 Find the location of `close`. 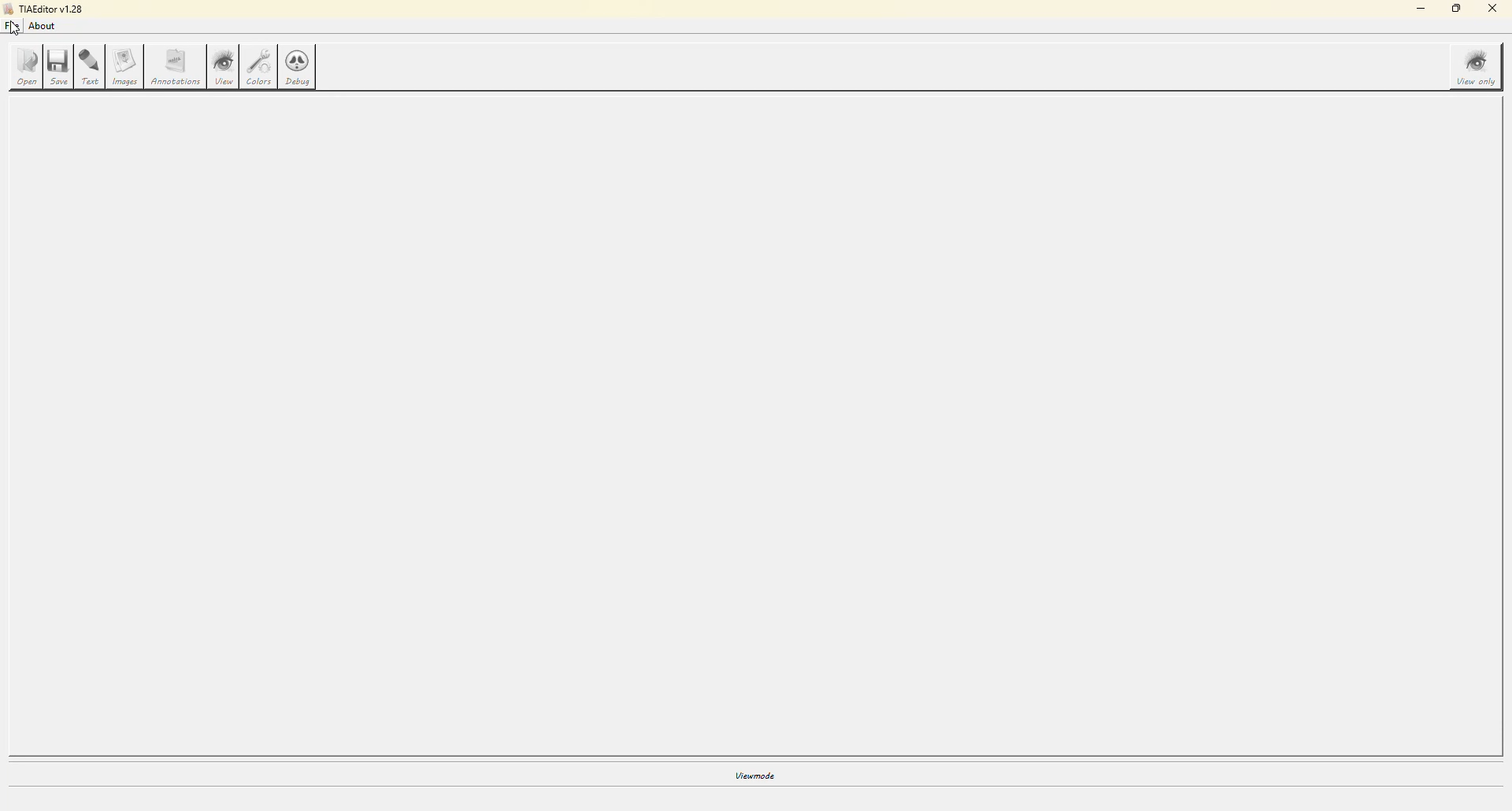

close is located at coordinates (1493, 9).